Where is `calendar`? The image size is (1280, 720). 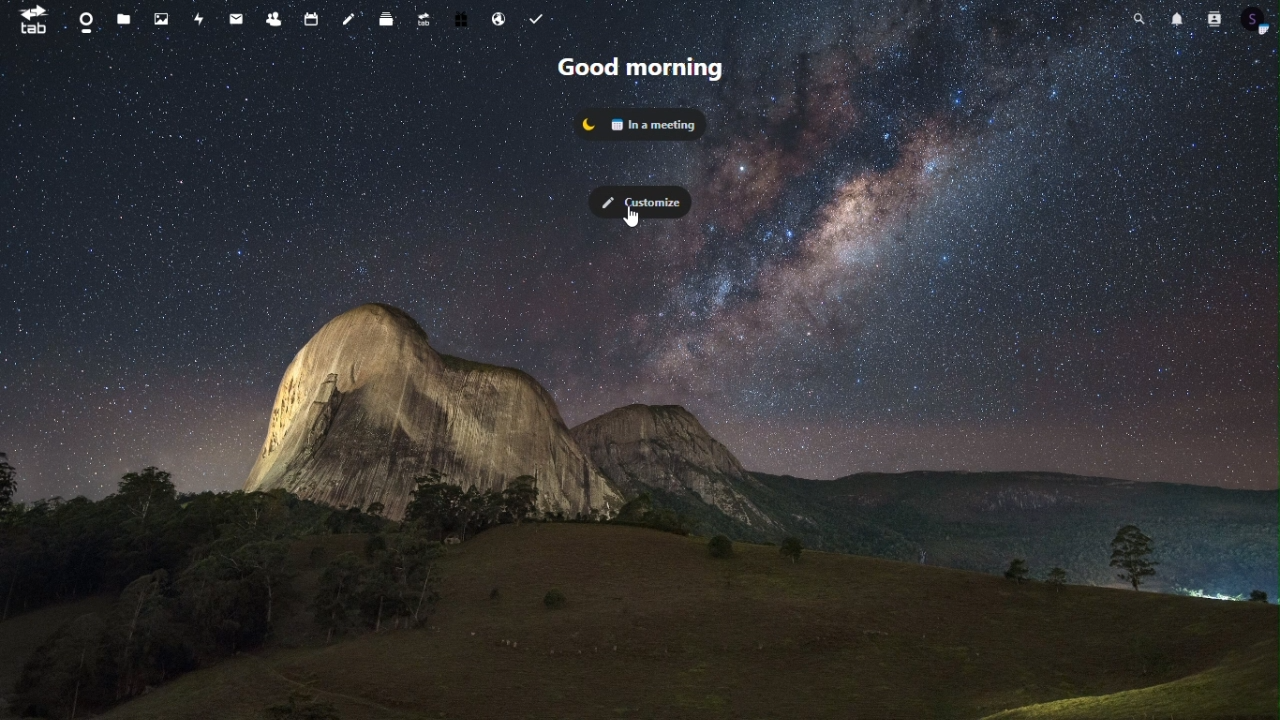
calendar is located at coordinates (309, 19).